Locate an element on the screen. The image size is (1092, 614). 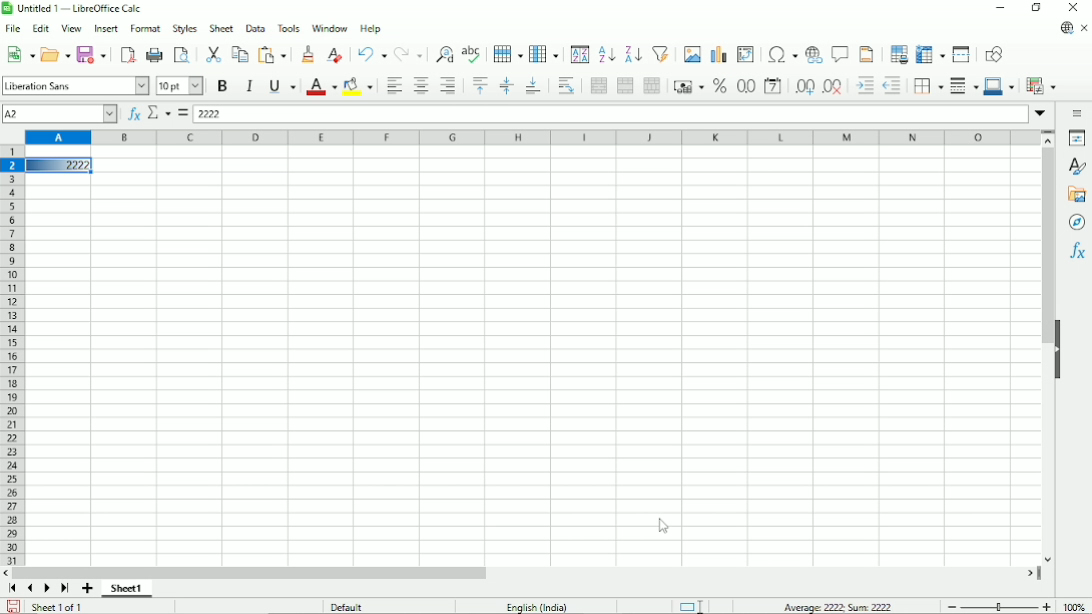
Add sheet is located at coordinates (87, 589).